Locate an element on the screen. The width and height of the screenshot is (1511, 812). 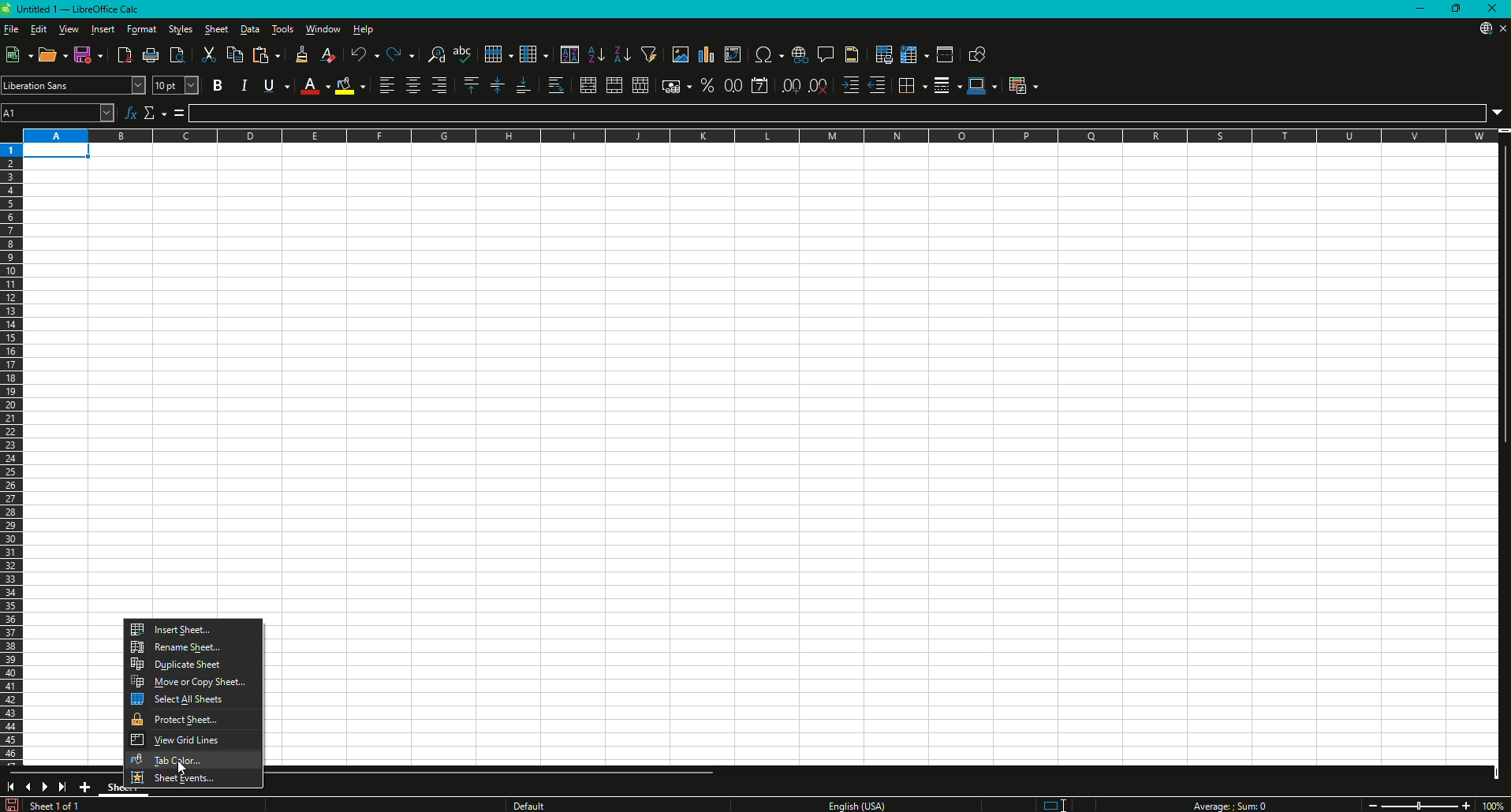
Format as Number is located at coordinates (733, 85).